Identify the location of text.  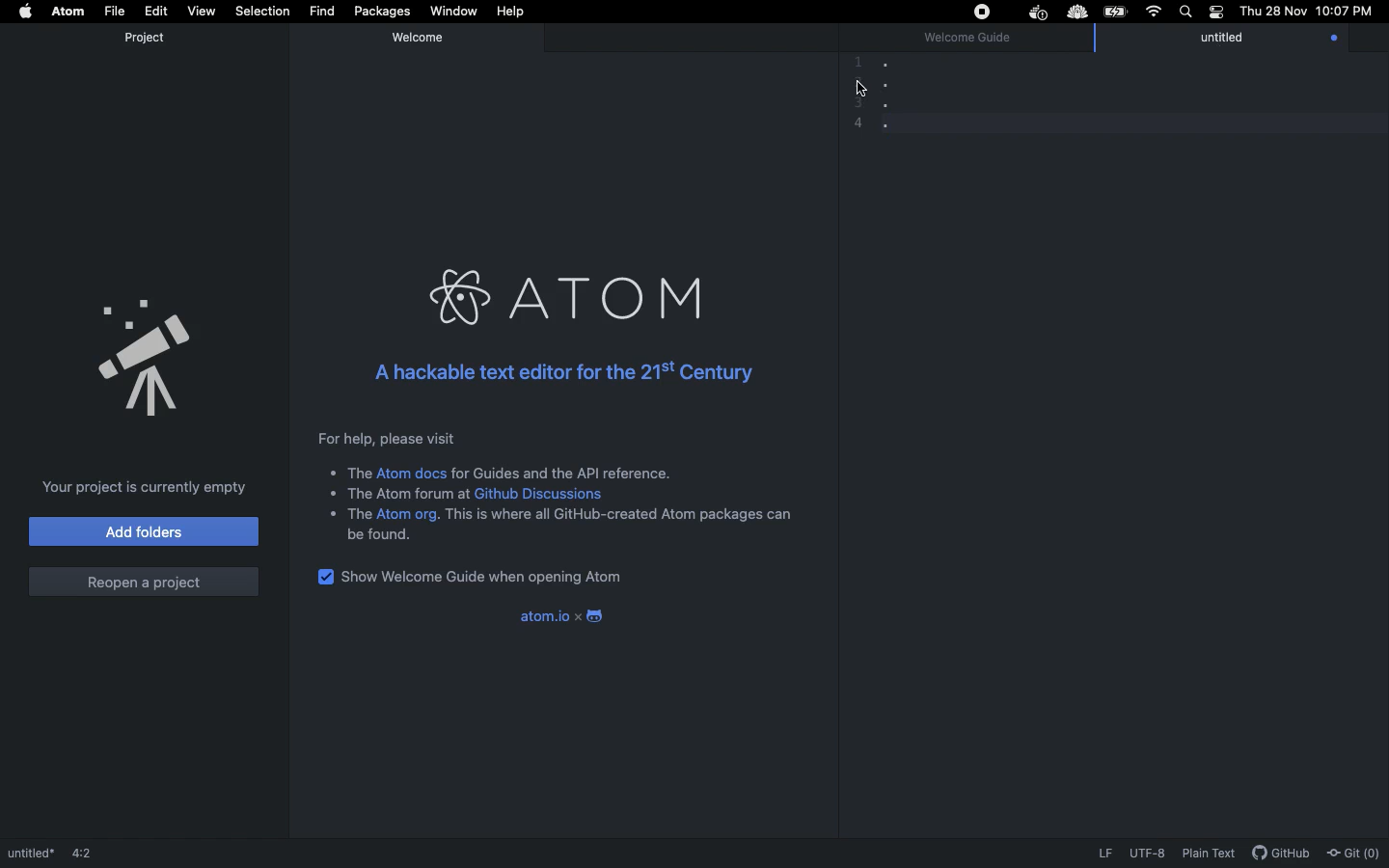
(401, 493).